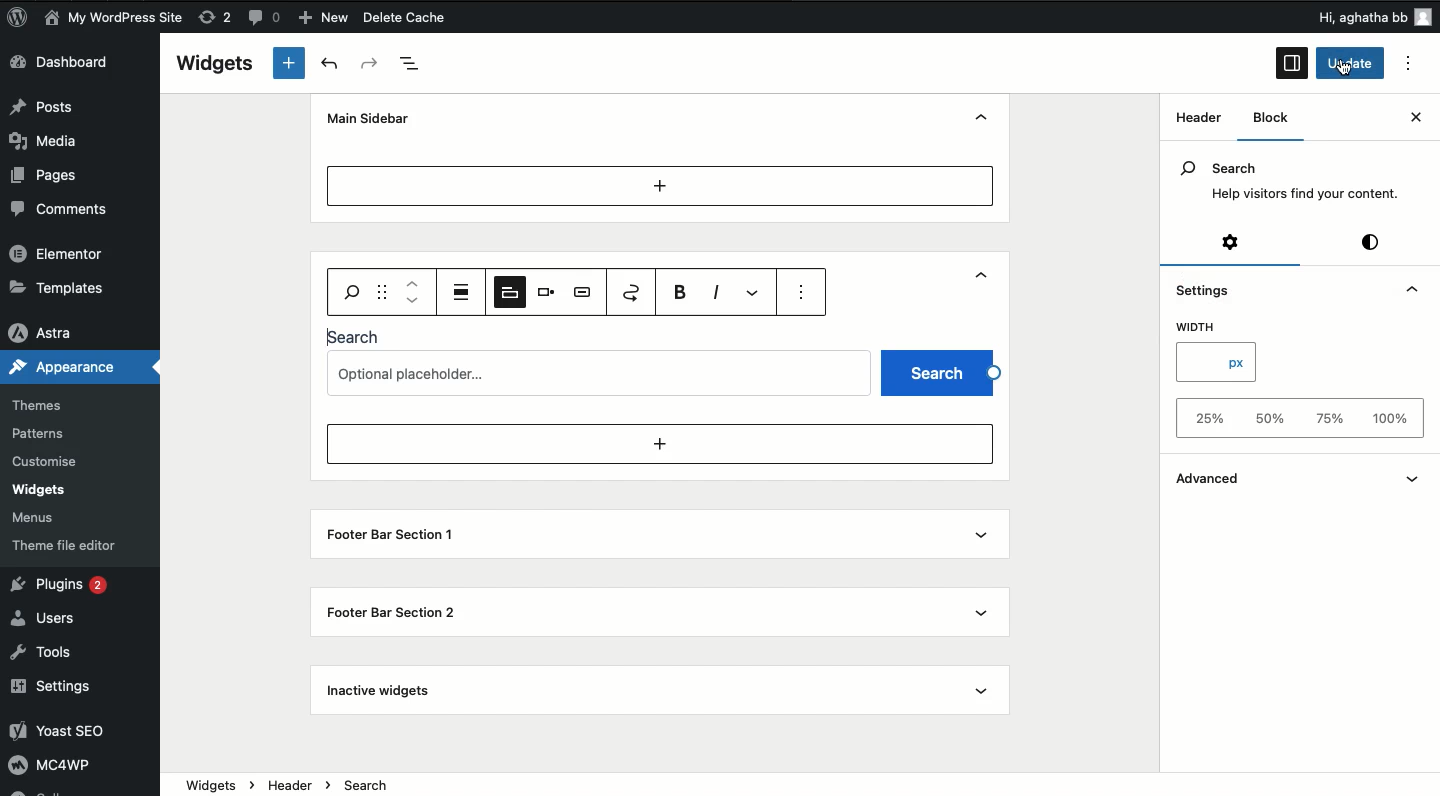 Image resolution: width=1440 pixels, height=796 pixels. What do you see at coordinates (1406, 288) in the screenshot?
I see `hide ` at bounding box center [1406, 288].